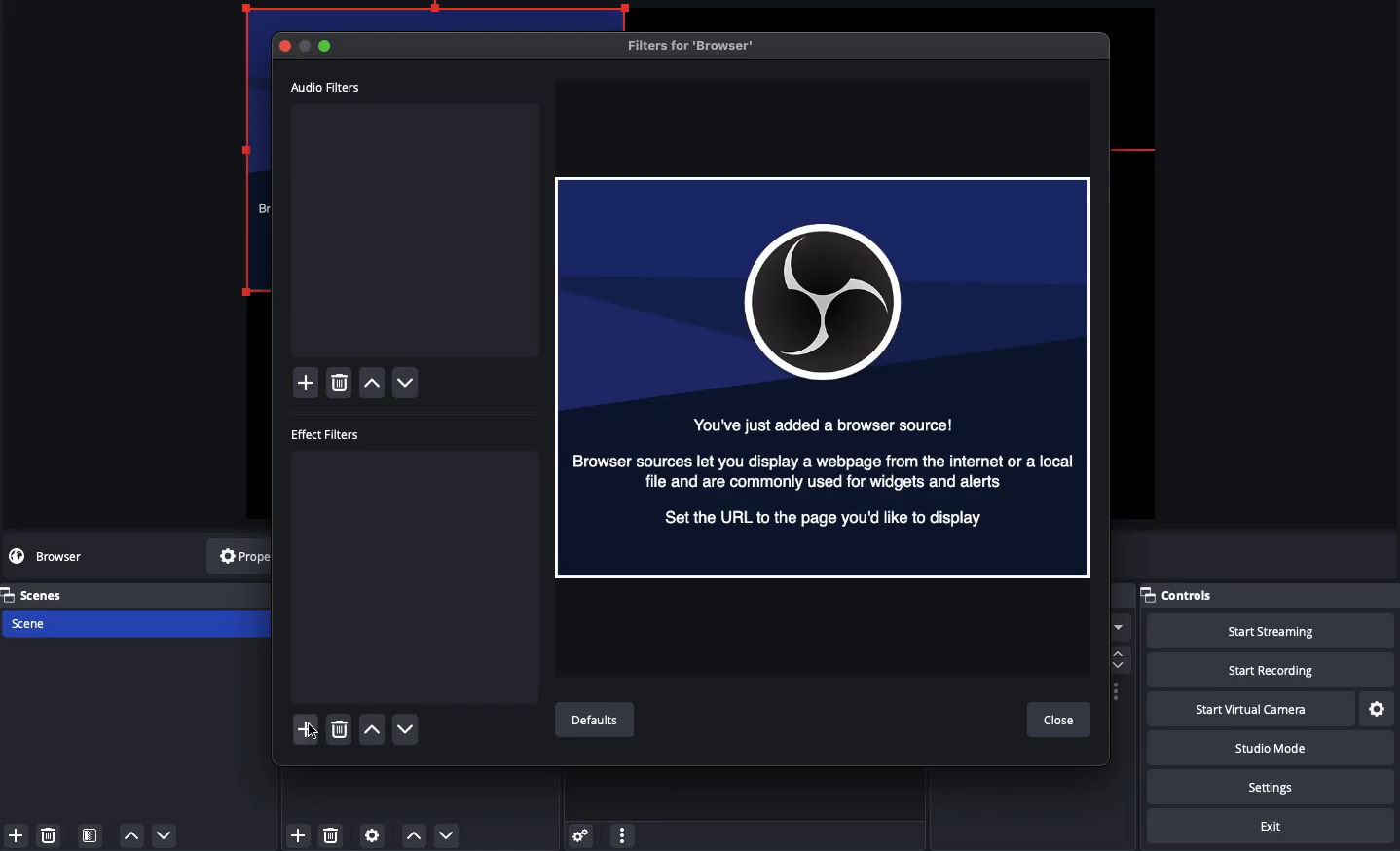 The width and height of the screenshot is (1400, 851). Describe the element at coordinates (52, 836) in the screenshot. I see `delete` at that location.